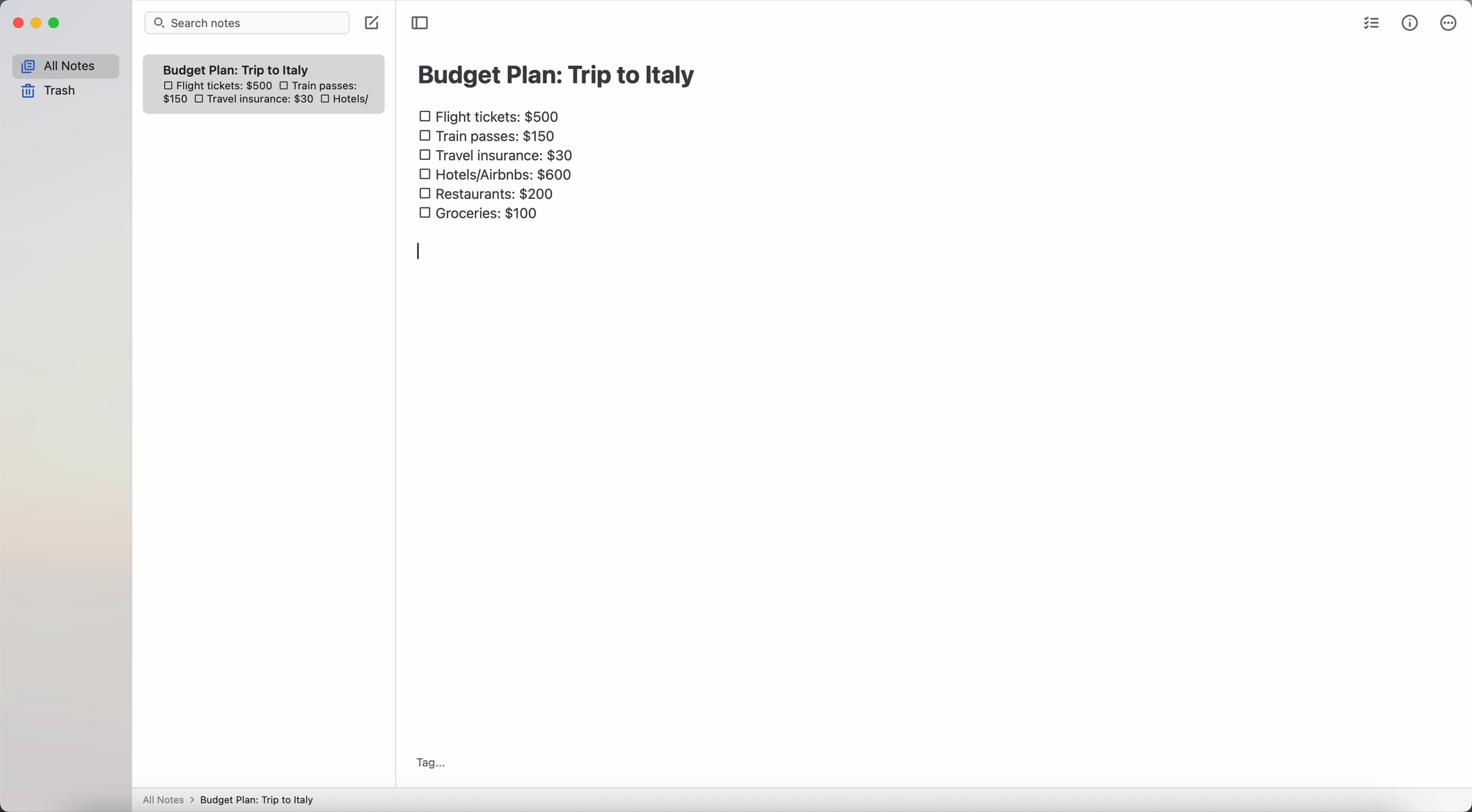 The height and width of the screenshot is (812, 1472). I want to click on travel insurance: $30, so click(263, 101).